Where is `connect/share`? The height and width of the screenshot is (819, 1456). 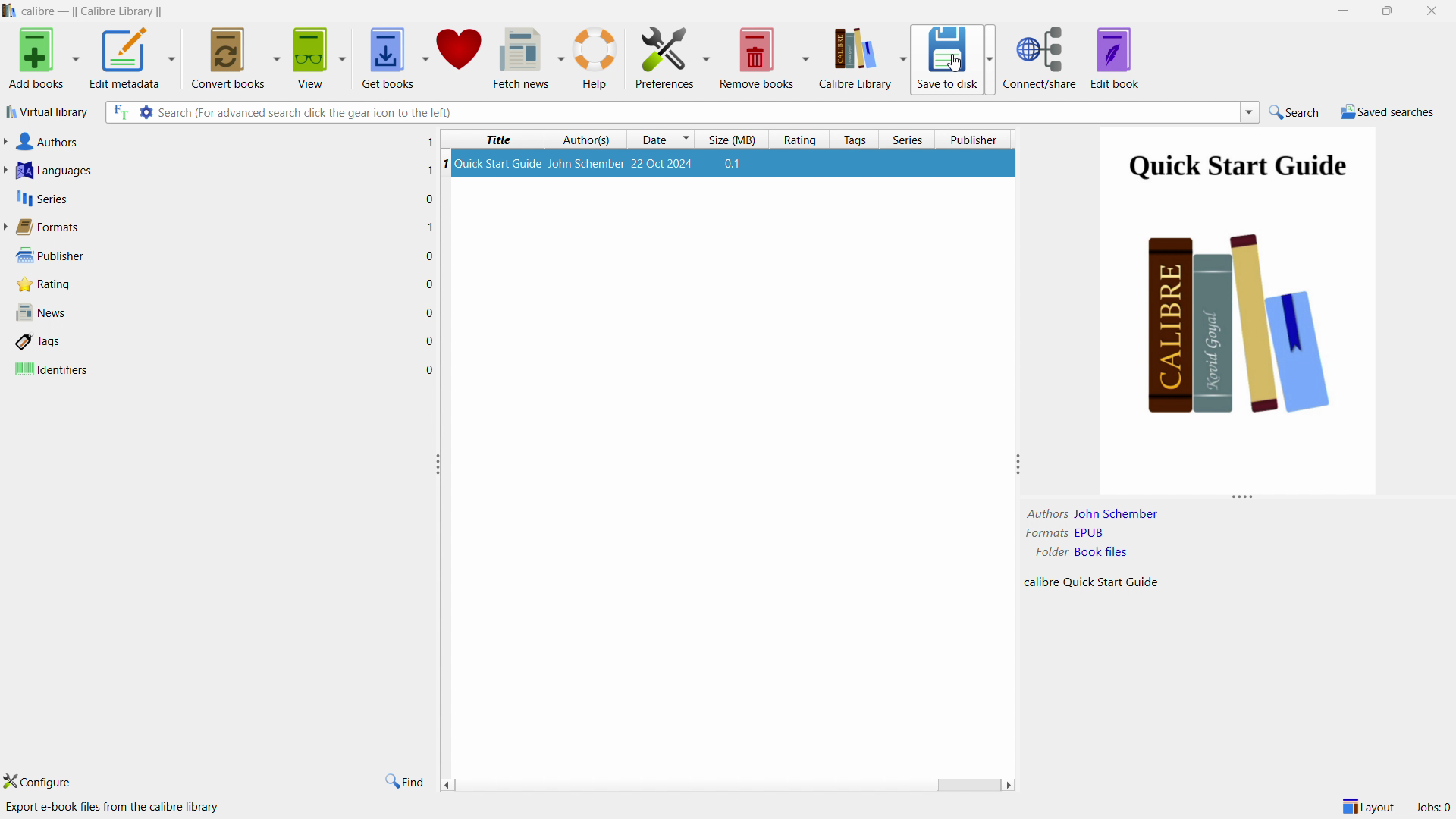 connect/share is located at coordinates (1040, 58).